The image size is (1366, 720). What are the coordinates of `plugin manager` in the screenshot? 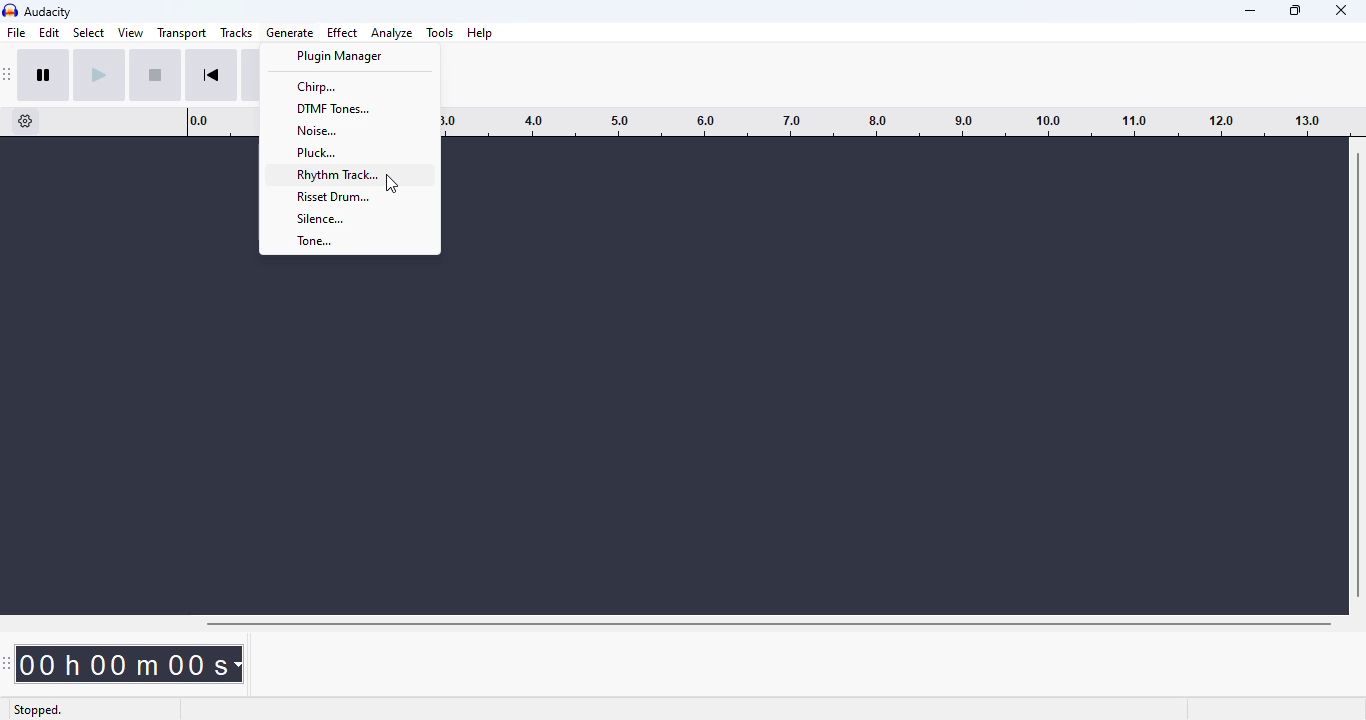 It's located at (348, 56).